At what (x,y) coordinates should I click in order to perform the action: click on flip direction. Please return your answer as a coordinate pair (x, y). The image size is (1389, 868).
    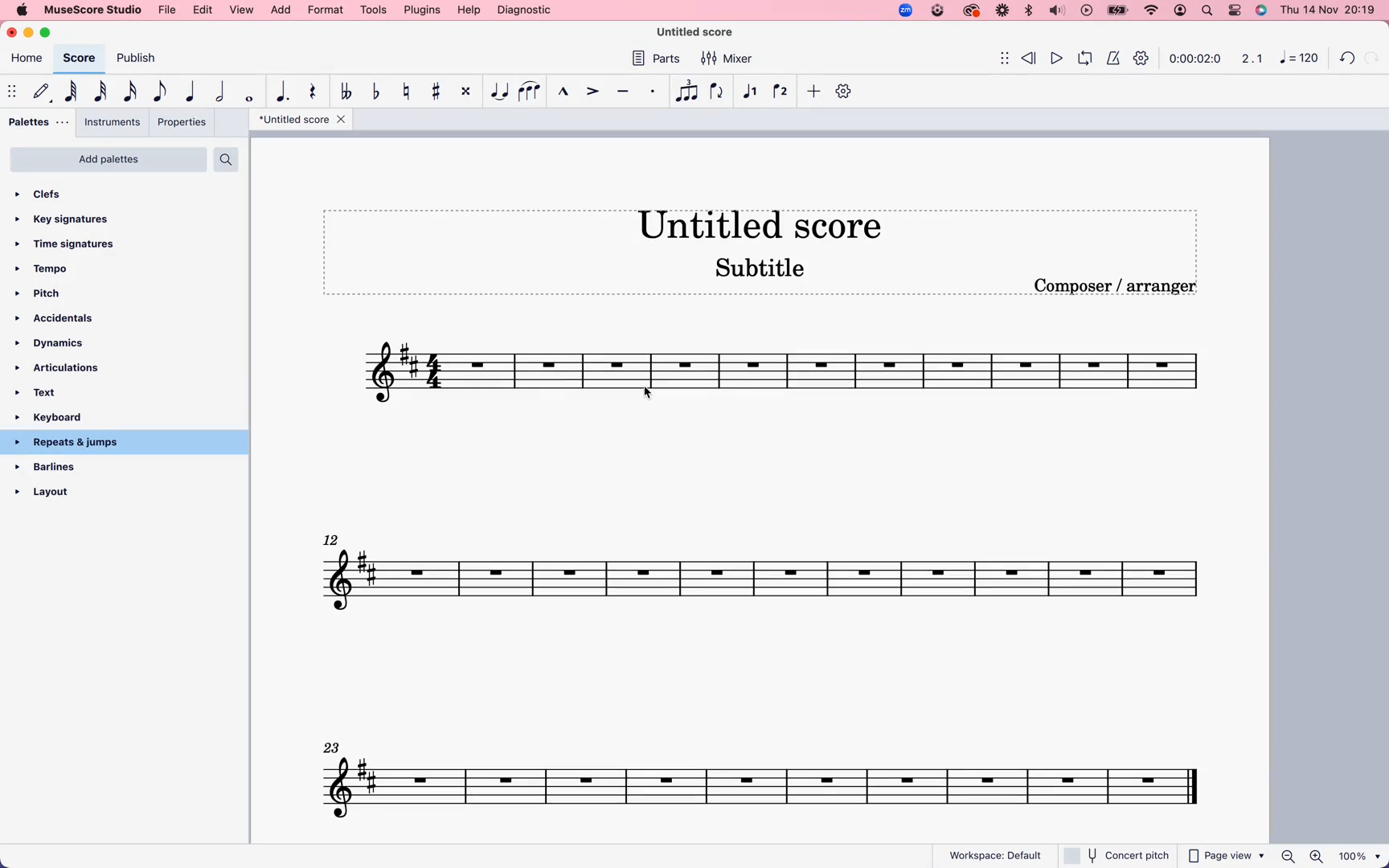
    Looking at the image, I should click on (717, 91).